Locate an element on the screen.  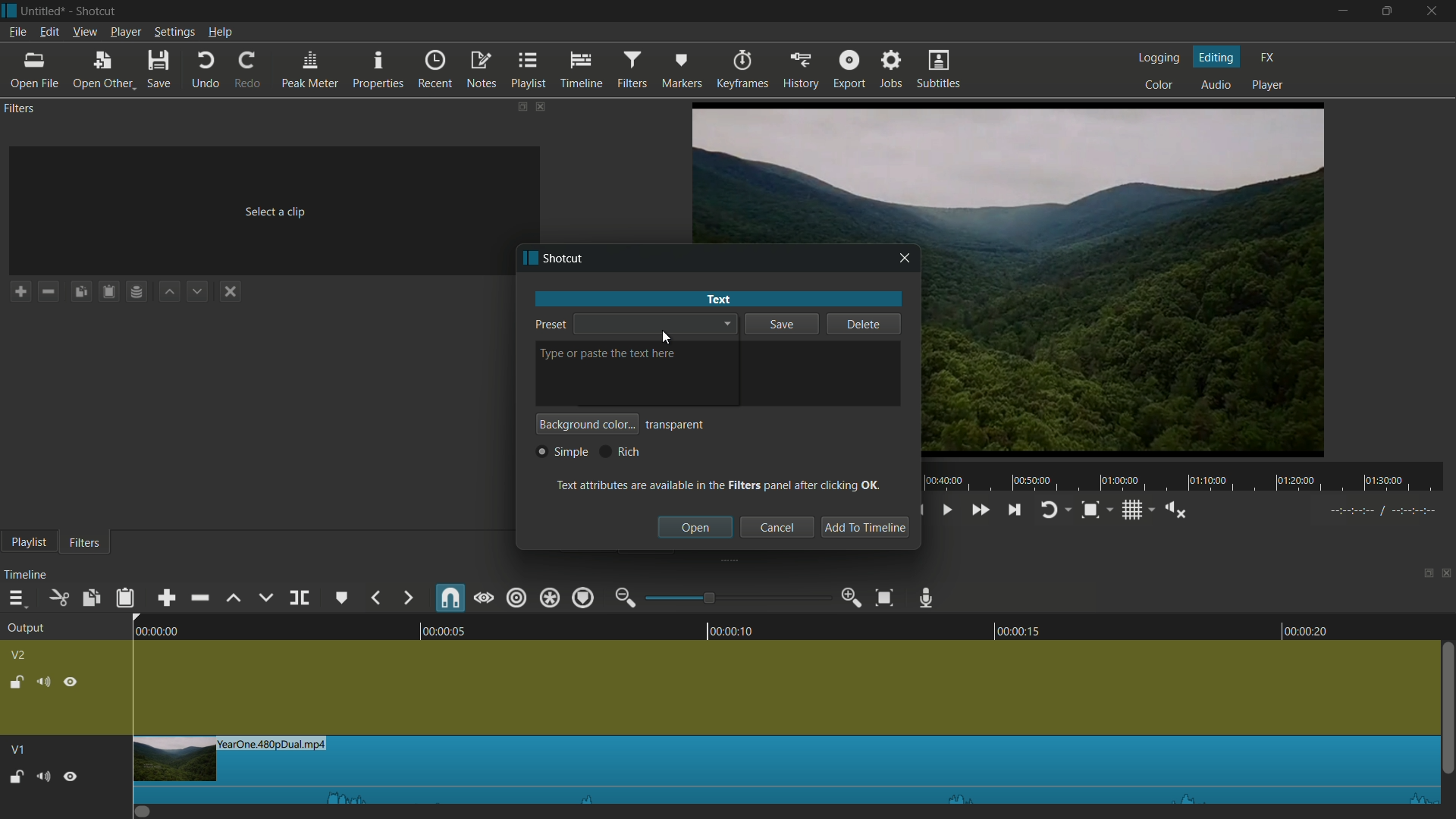
app name is located at coordinates (566, 259).